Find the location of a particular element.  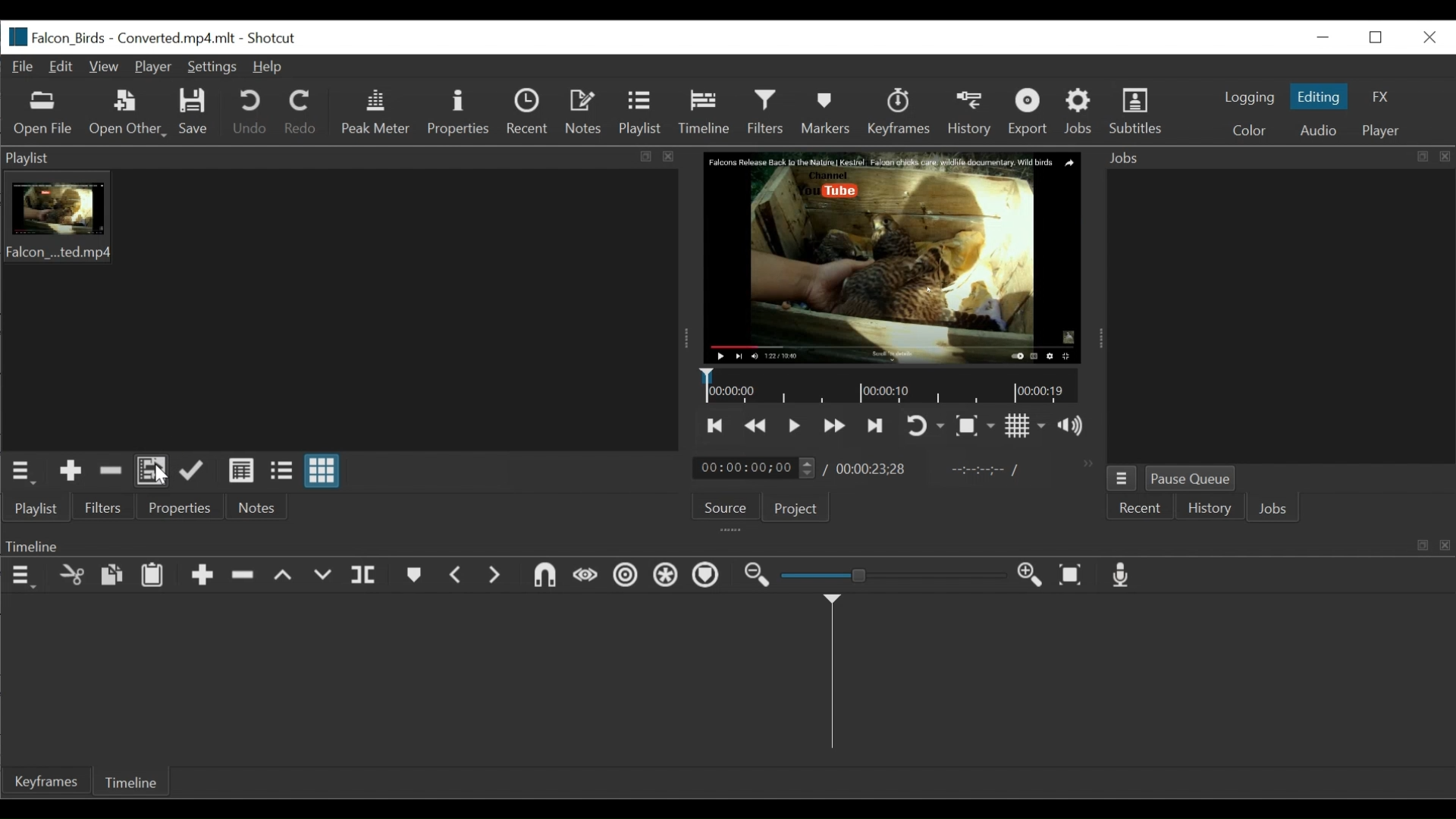

Player is located at coordinates (153, 67).